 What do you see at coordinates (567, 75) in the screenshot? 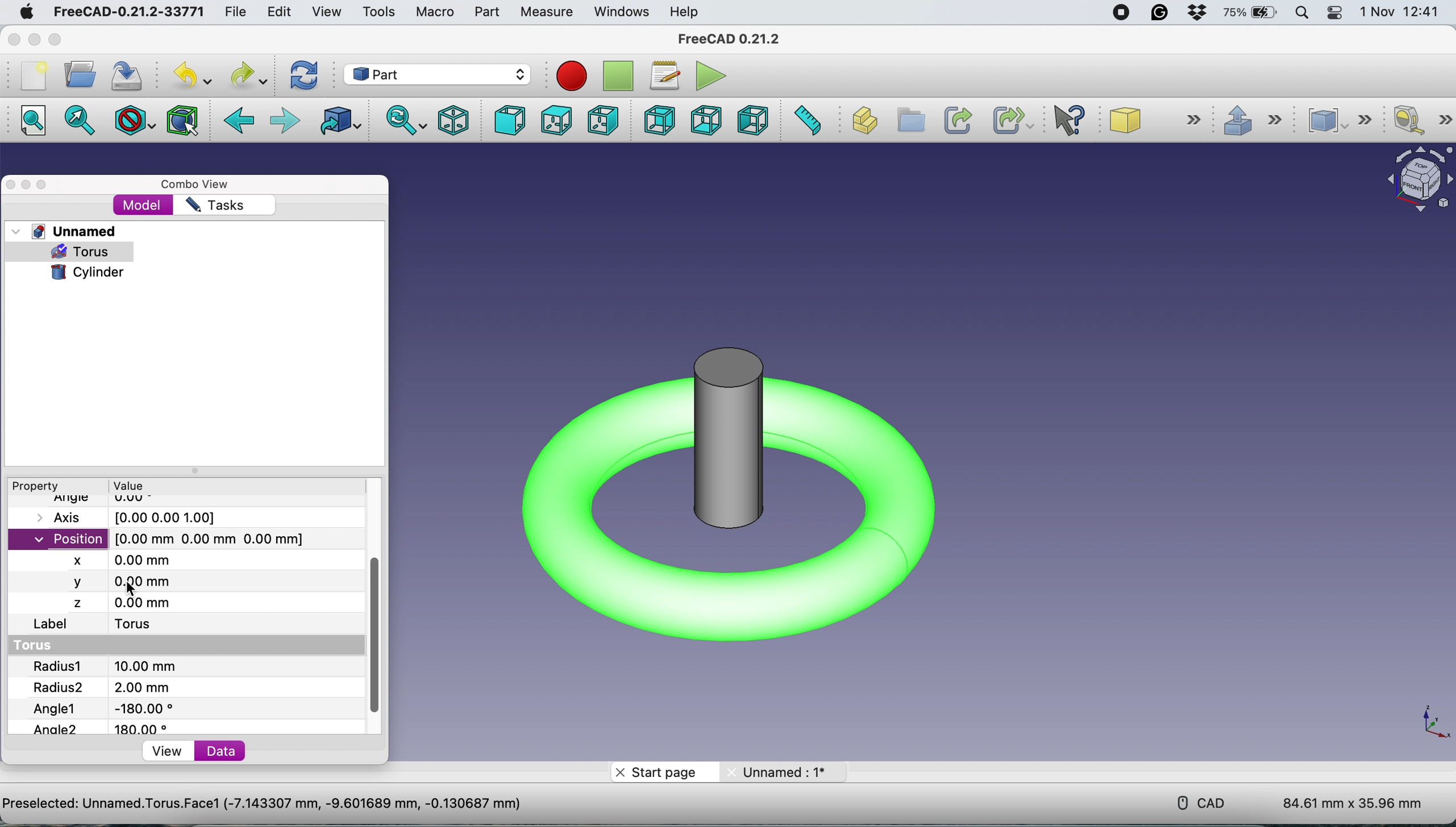
I see `recroding macros` at bounding box center [567, 75].